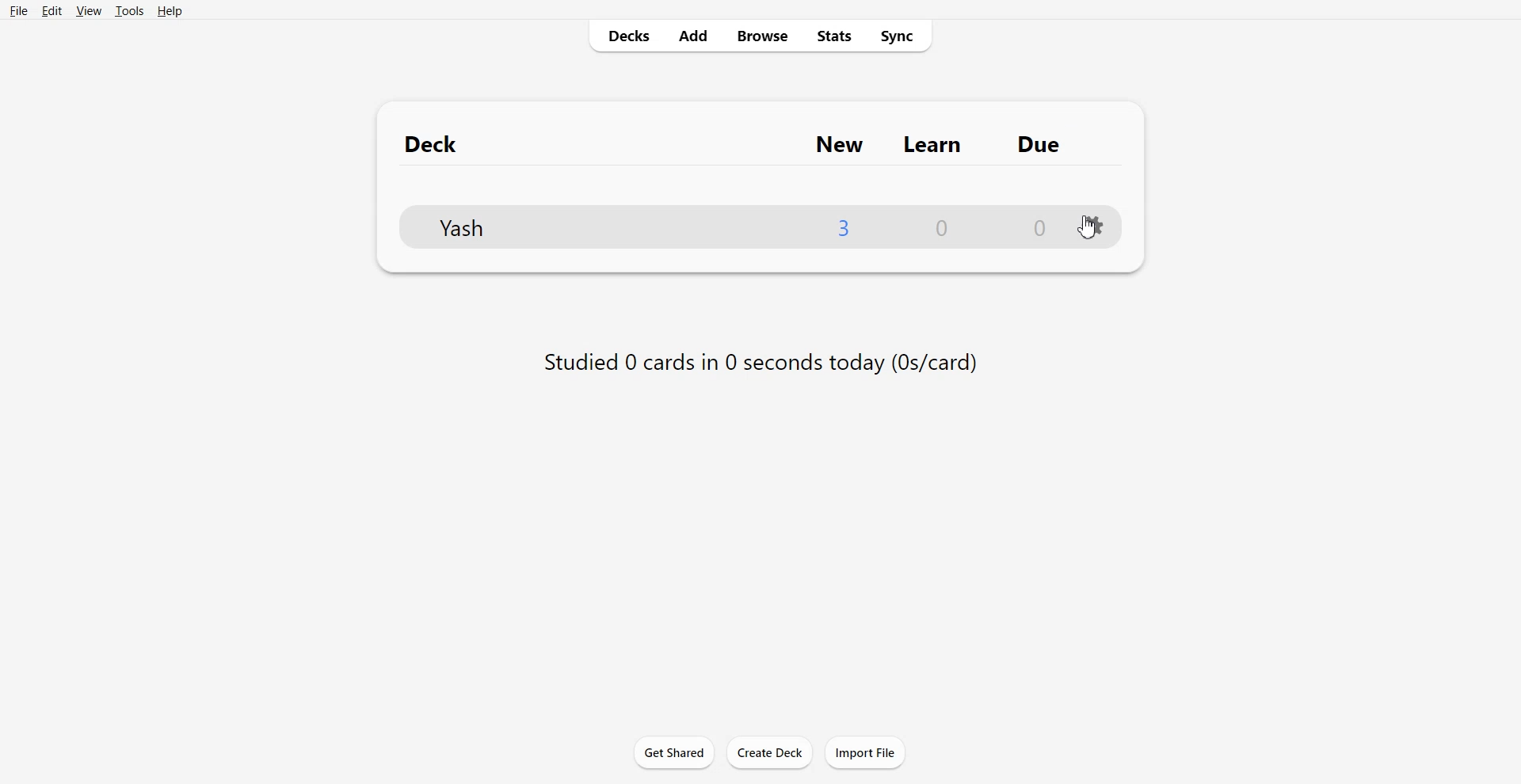 This screenshot has width=1521, height=784. What do you see at coordinates (832, 36) in the screenshot?
I see `Stats` at bounding box center [832, 36].